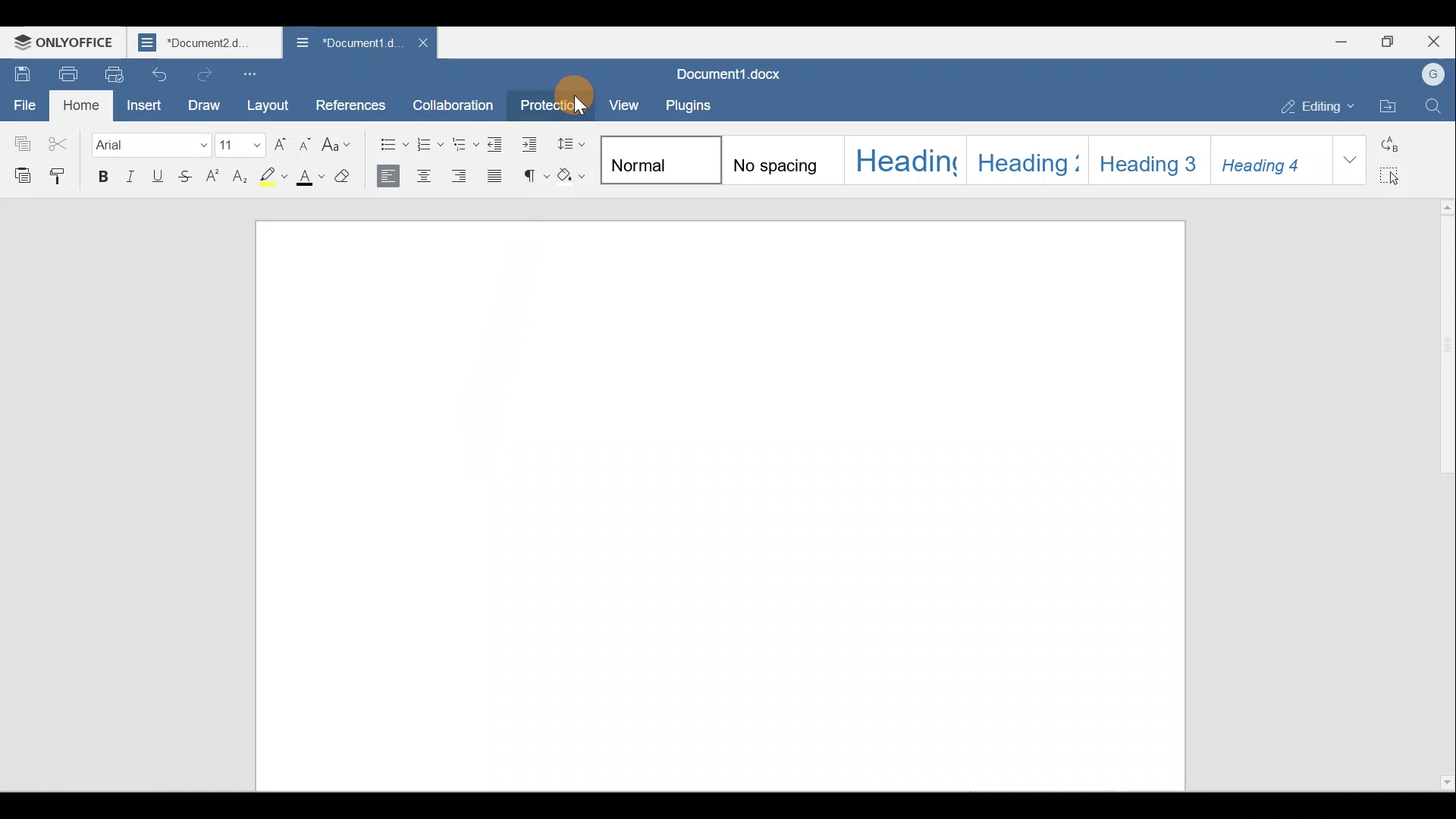 The width and height of the screenshot is (1456, 819). What do you see at coordinates (1392, 105) in the screenshot?
I see `Open file location` at bounding box center [1392, 105].